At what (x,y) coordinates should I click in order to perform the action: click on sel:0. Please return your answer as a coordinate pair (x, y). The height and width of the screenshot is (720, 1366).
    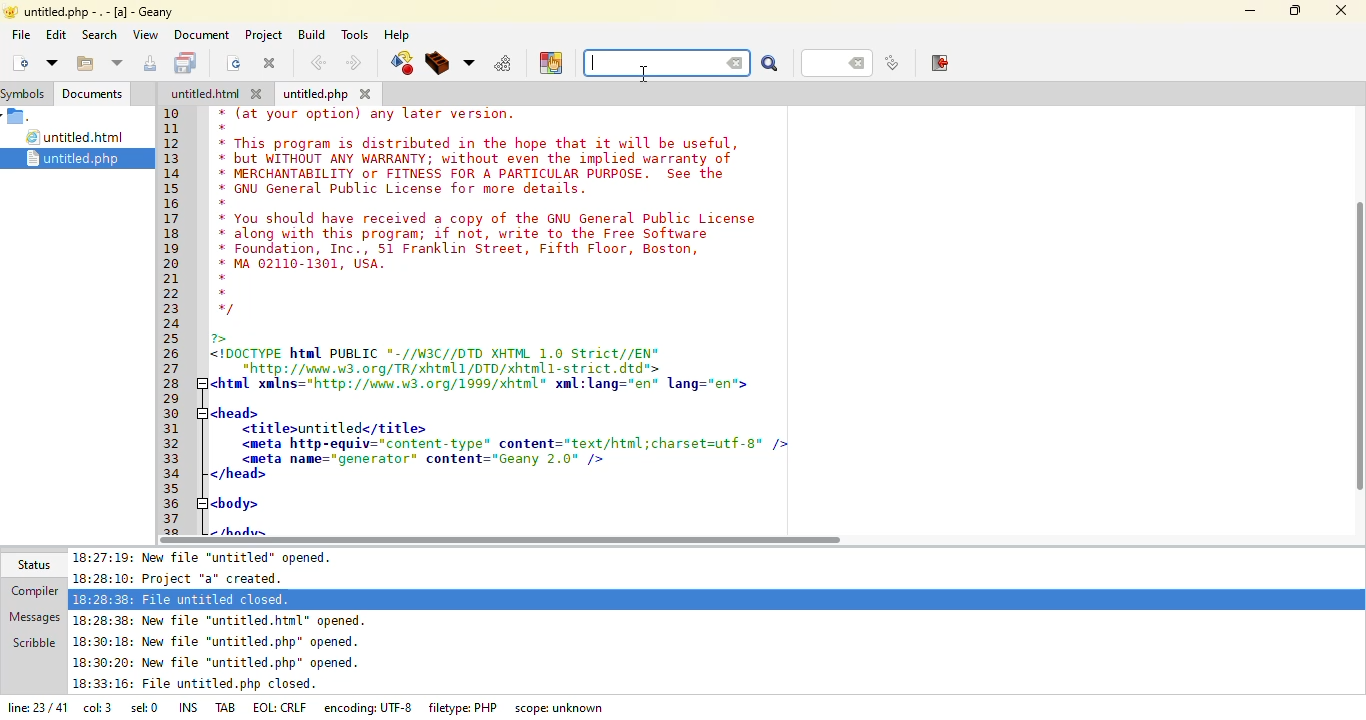
    Looking at the image, I should click on (144, 710).